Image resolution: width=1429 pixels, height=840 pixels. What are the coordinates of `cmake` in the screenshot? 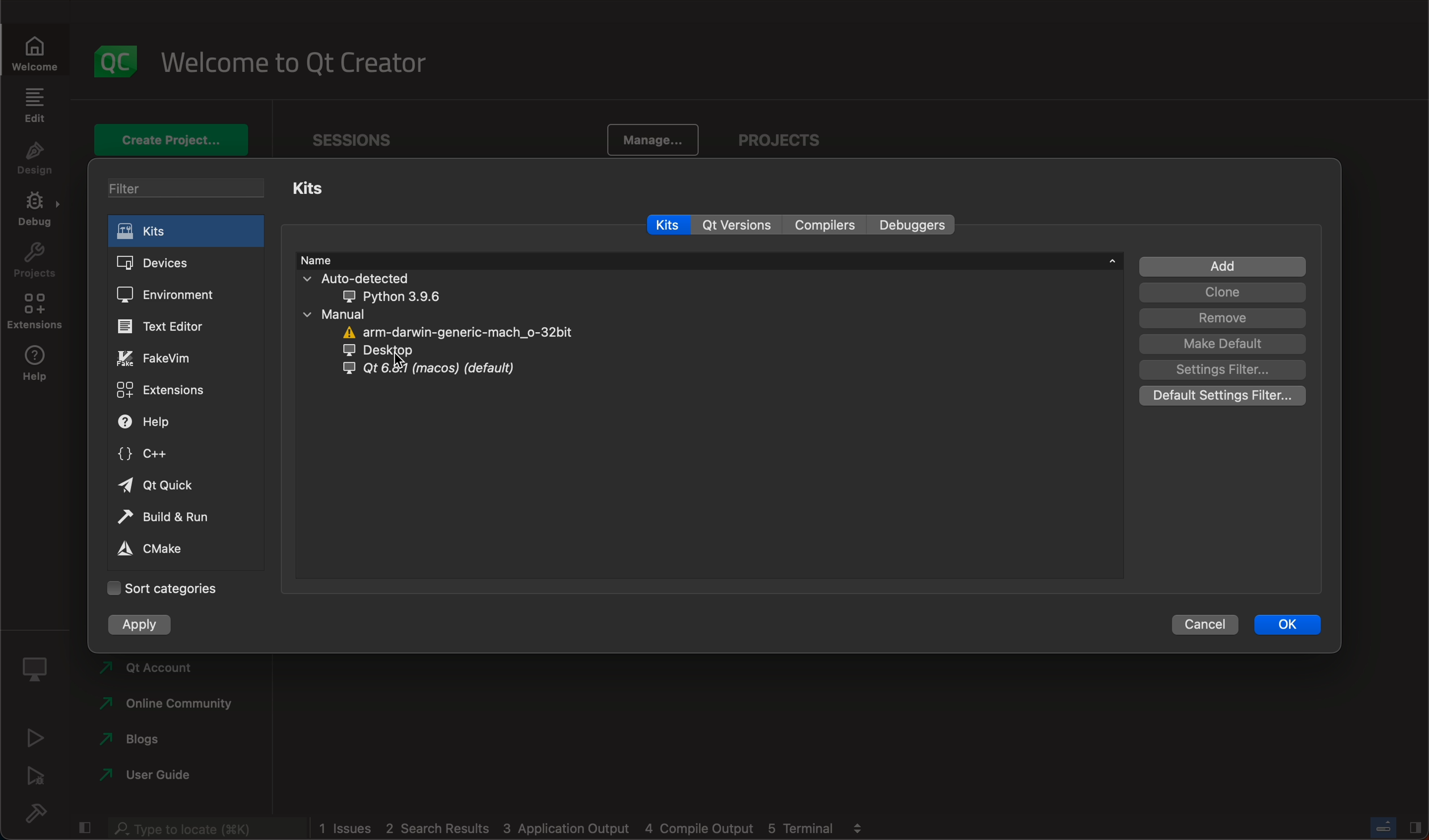 It's located at (151, 548).